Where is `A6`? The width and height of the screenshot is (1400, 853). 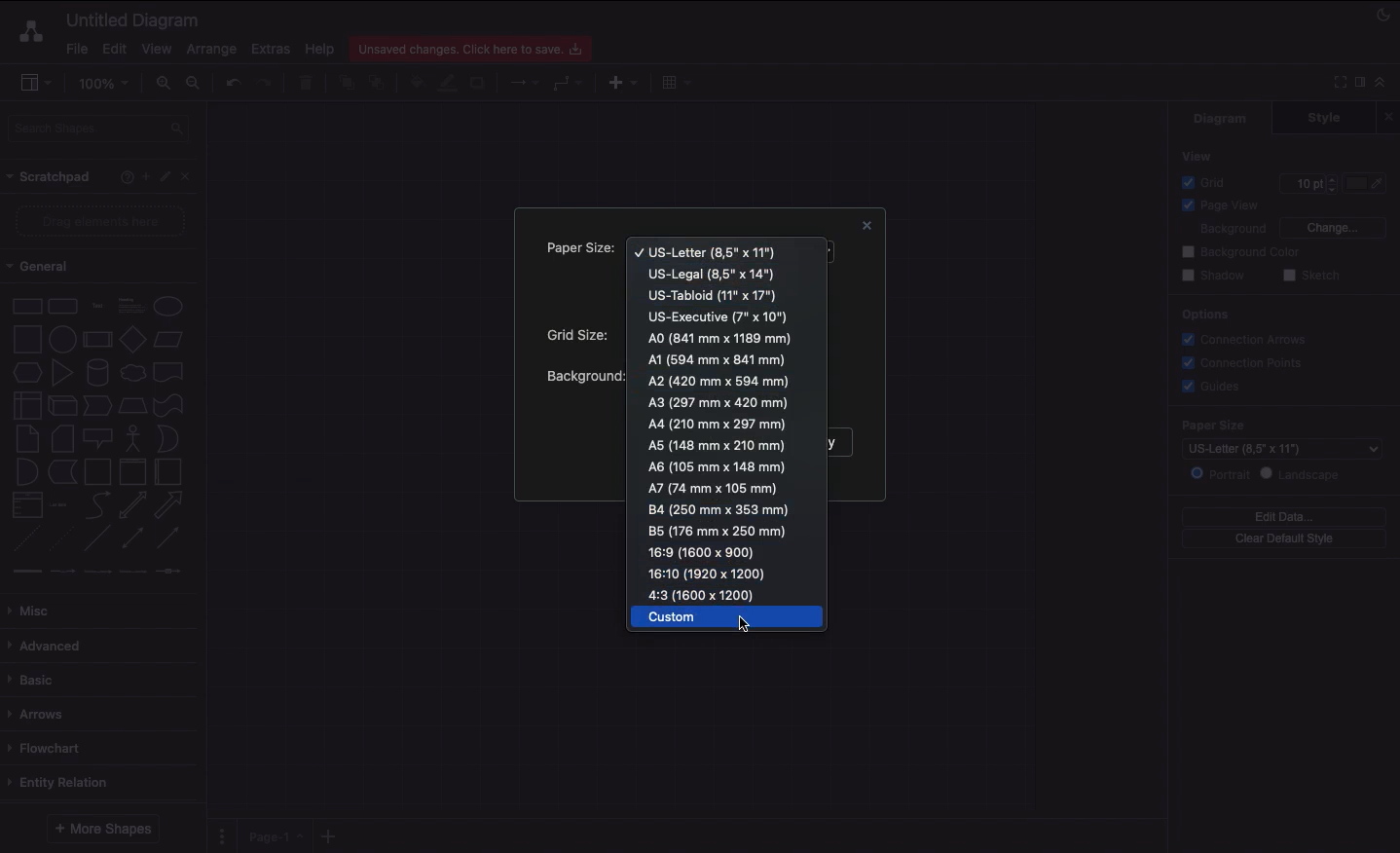 A6 is located at coordinates (718, 466).